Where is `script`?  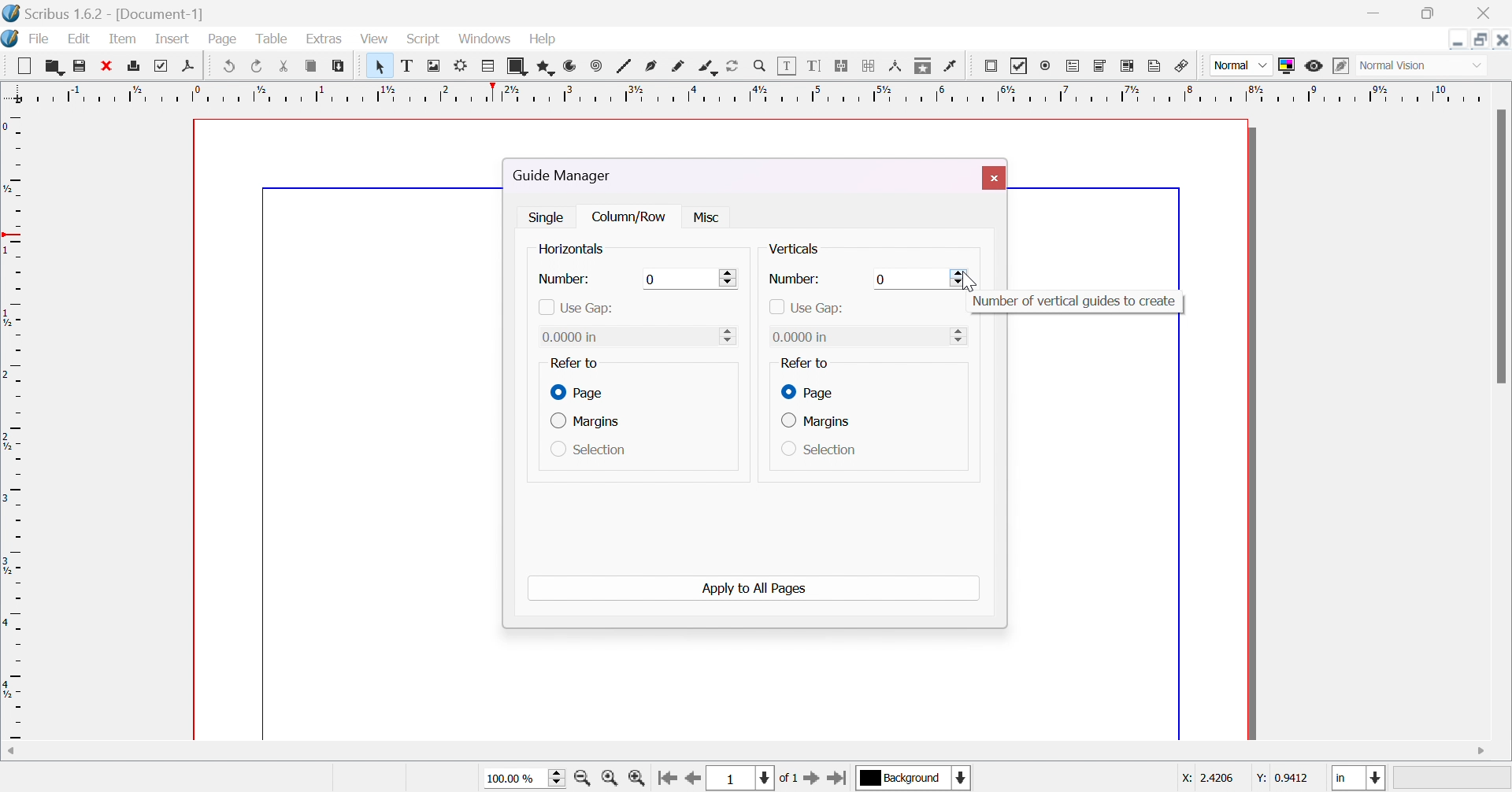
script is located at coordinates (423, 39).